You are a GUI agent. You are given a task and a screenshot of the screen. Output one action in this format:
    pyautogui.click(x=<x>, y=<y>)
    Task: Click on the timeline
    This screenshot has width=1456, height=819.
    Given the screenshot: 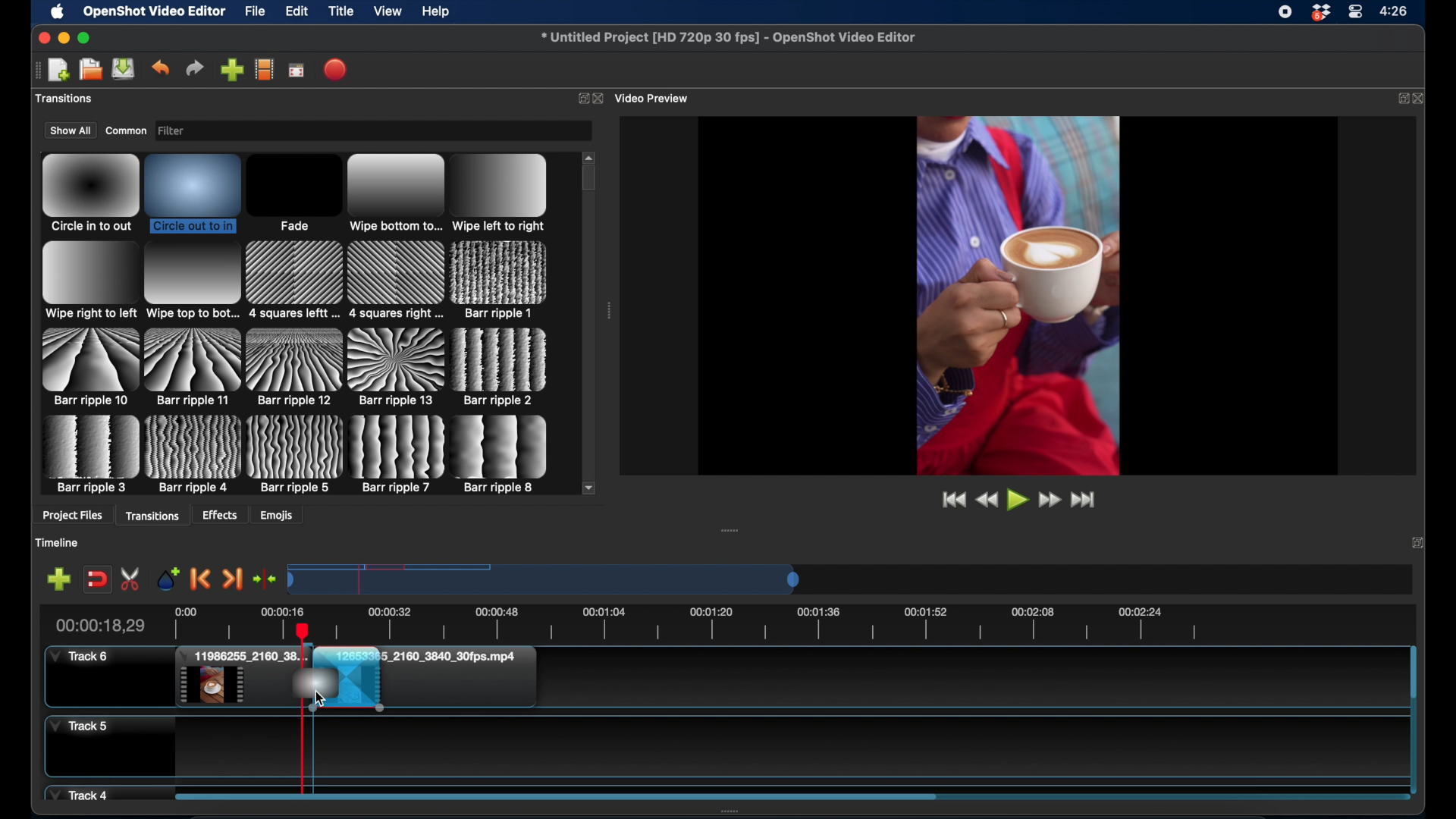 What is the action you would take?
    pyautogui.click(x=751, y=621)
    